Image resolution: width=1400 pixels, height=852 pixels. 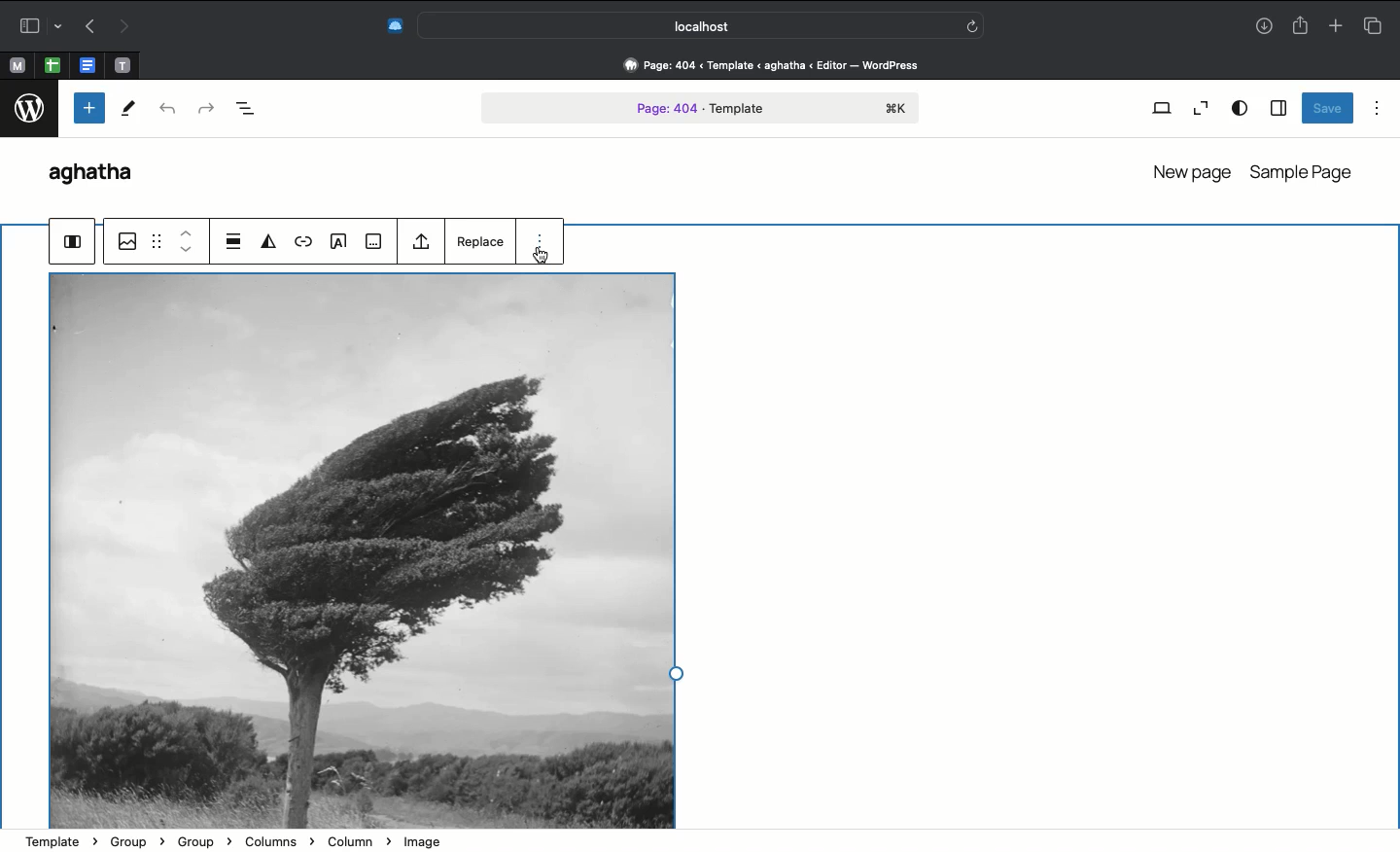 I want to click on Sidebar, so click(x=1277, y=107).